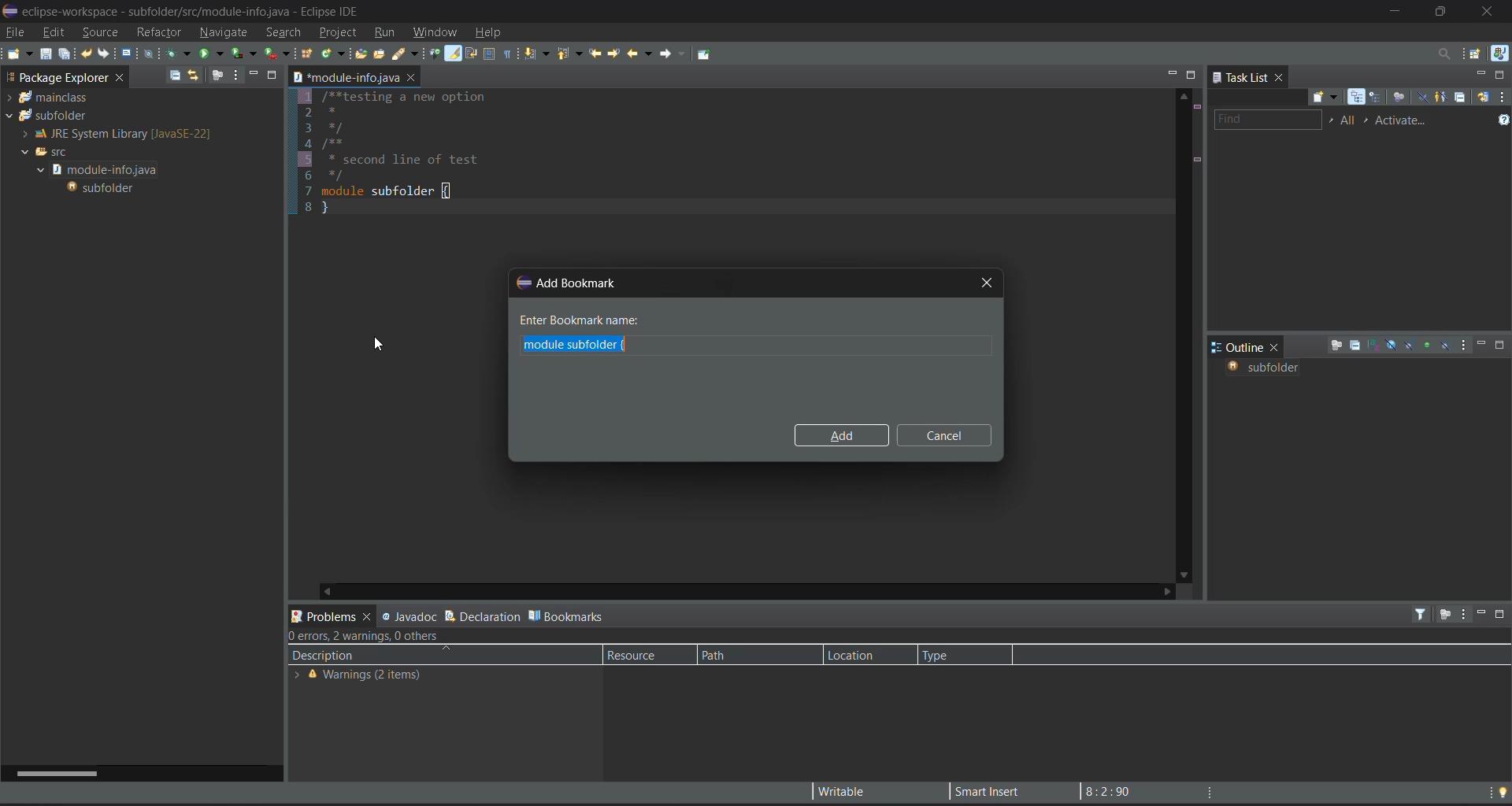 The width and height of the screenshot is (1512, 806). I want to click on save, so click(46, 54).